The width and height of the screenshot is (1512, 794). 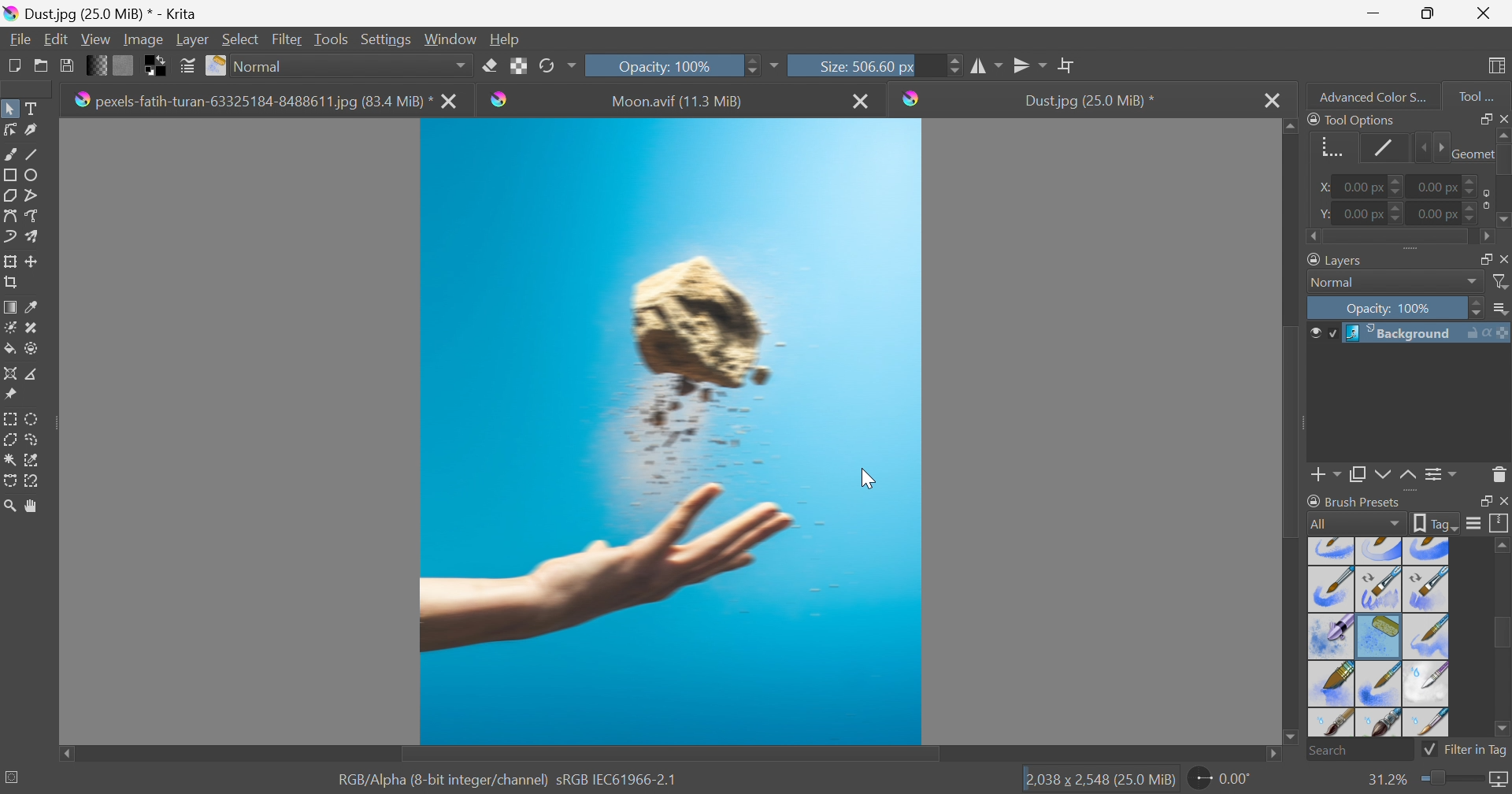 I want to click on Close, so click(x=1484, y=13).